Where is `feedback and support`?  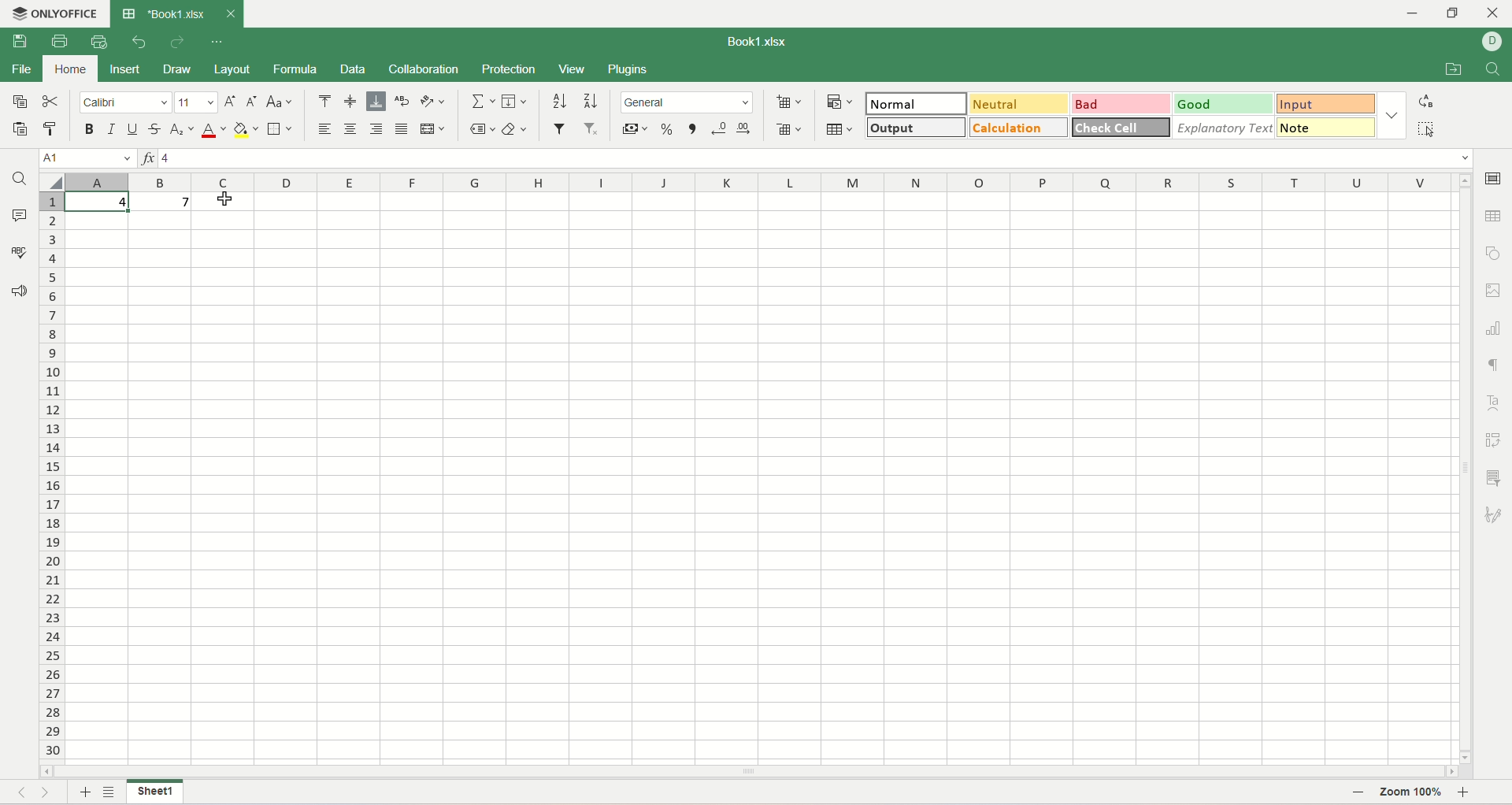
feedback and support is located at coordinates (19, 294).